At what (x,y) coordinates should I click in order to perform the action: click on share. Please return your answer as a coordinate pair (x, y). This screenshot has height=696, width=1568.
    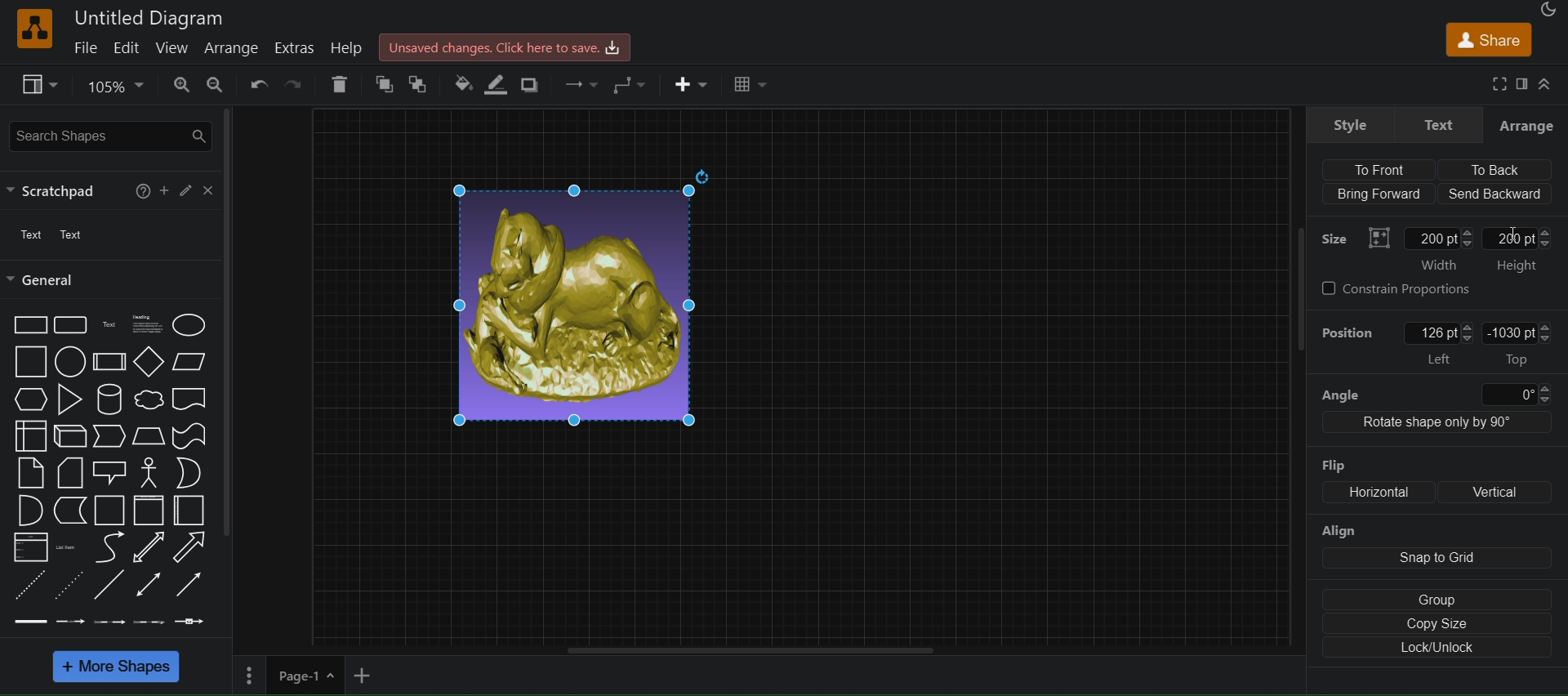
    Looking at the image, I should click on (1486, 39).